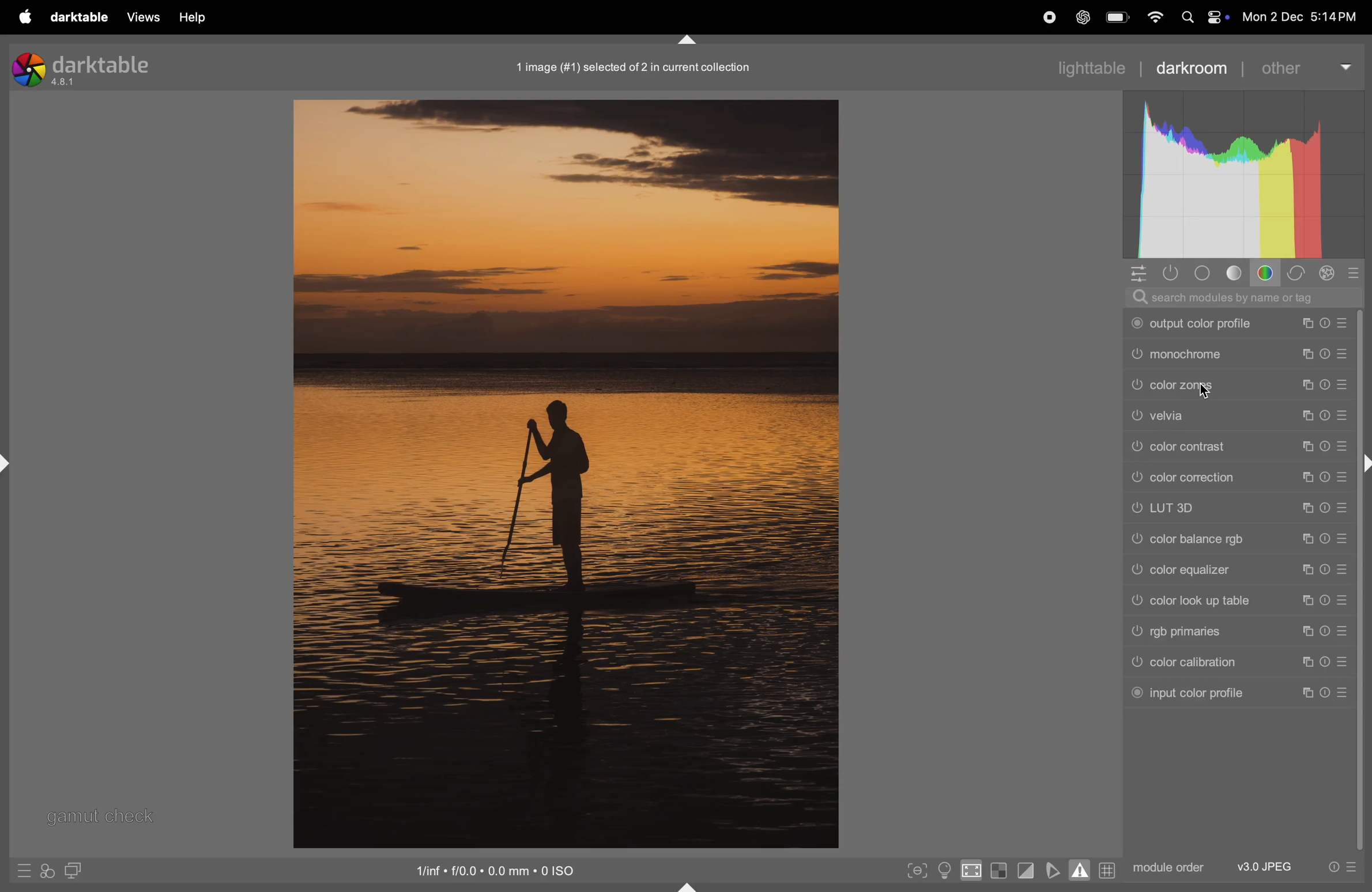 Image resolution: width=1372 pixels, height=892 pixels. What do you see at coordinates (499, 873) in the screenshot?
I see `iso standard` at bounding box center [499, 873].